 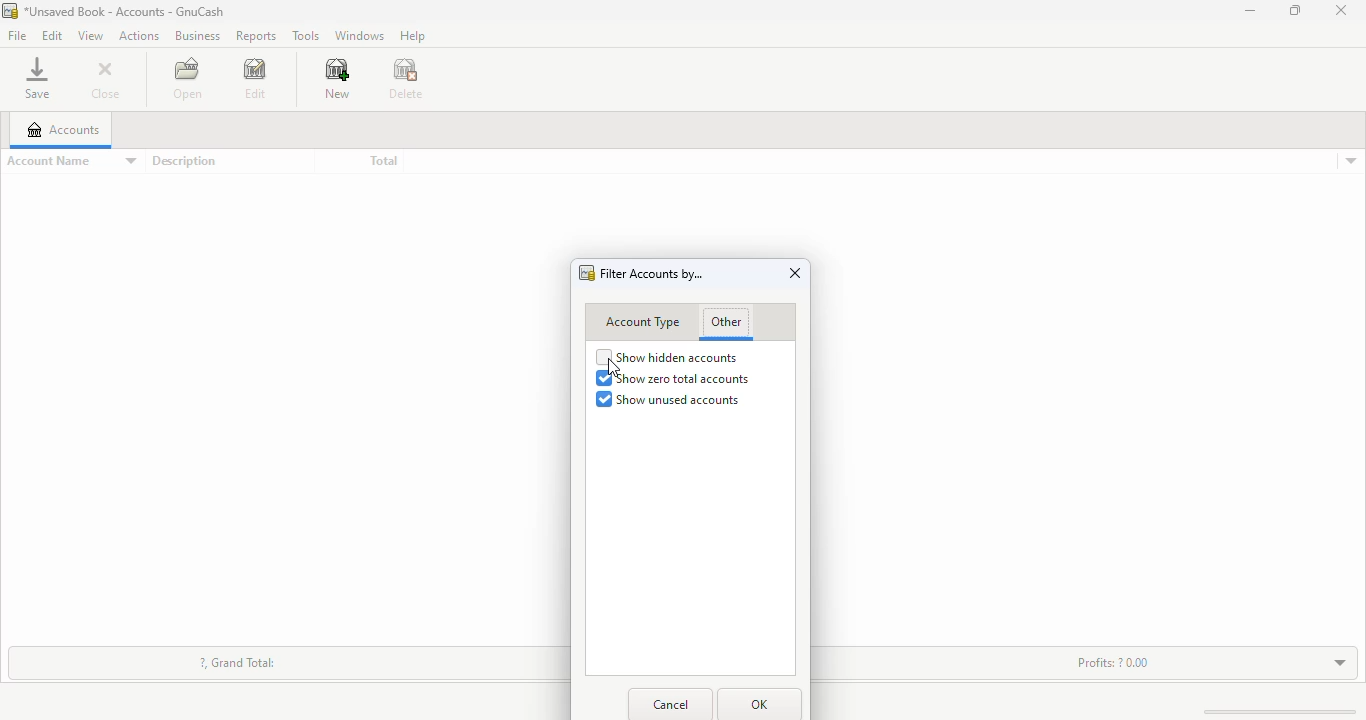 What do you see at coordinates (672, 379) in the screenshot?
I see `show zero total accounts` at bounding box center [672, 379].